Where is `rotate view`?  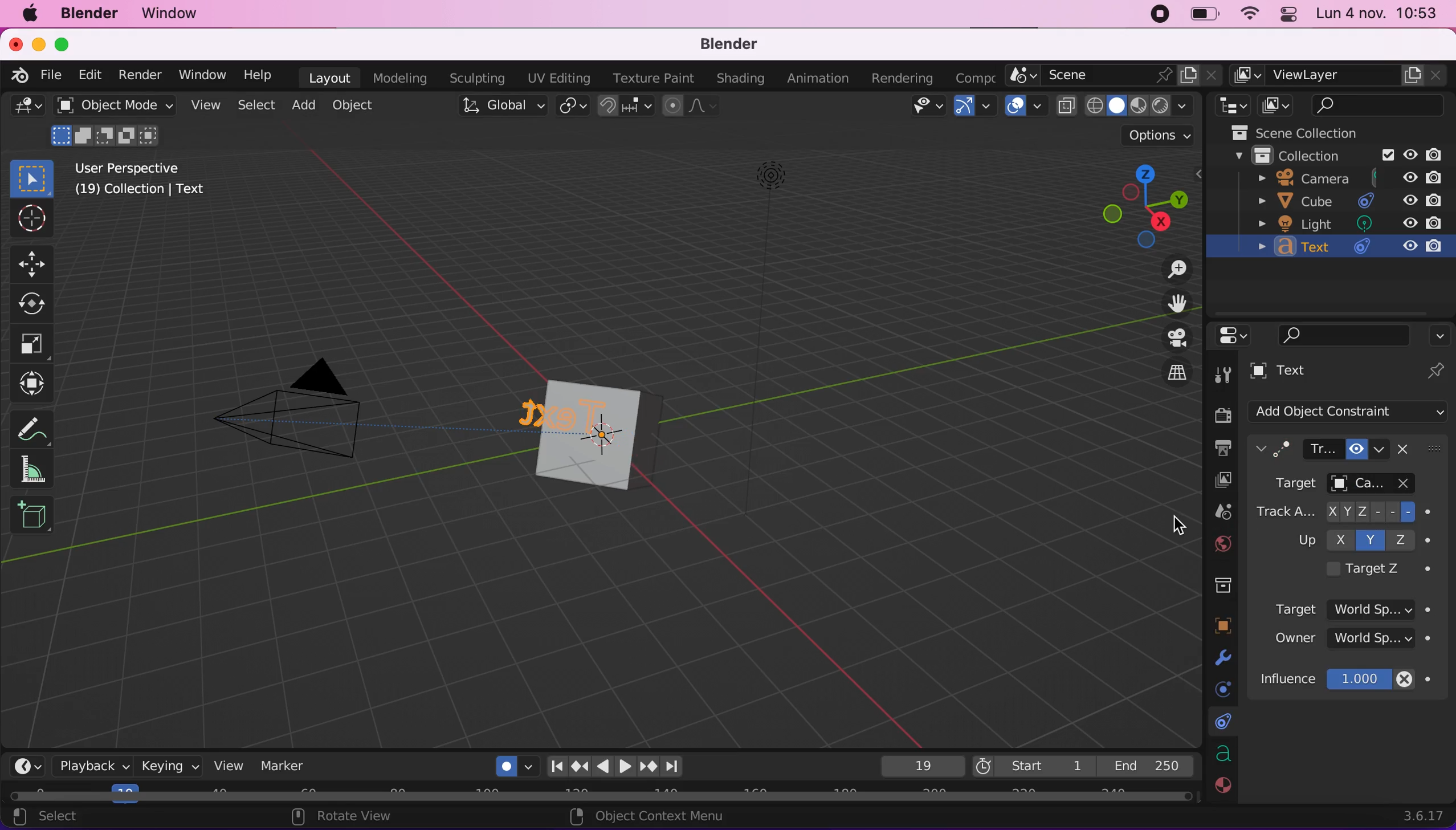 rotate view is located at coordinates (378, 819).